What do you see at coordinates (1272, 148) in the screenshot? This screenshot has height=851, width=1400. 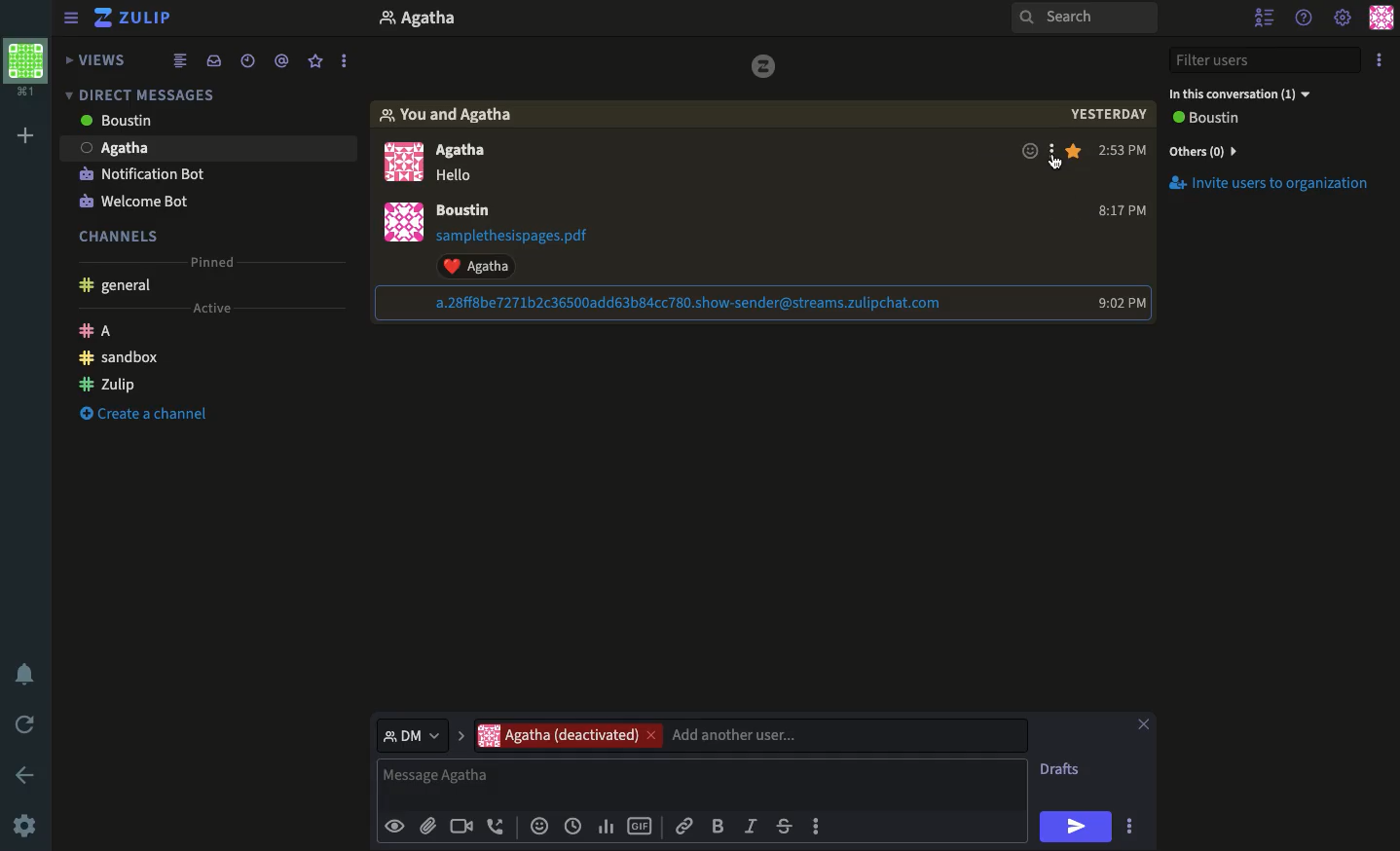 I see `Invite users to org.` at bounding box center [1272, 148].